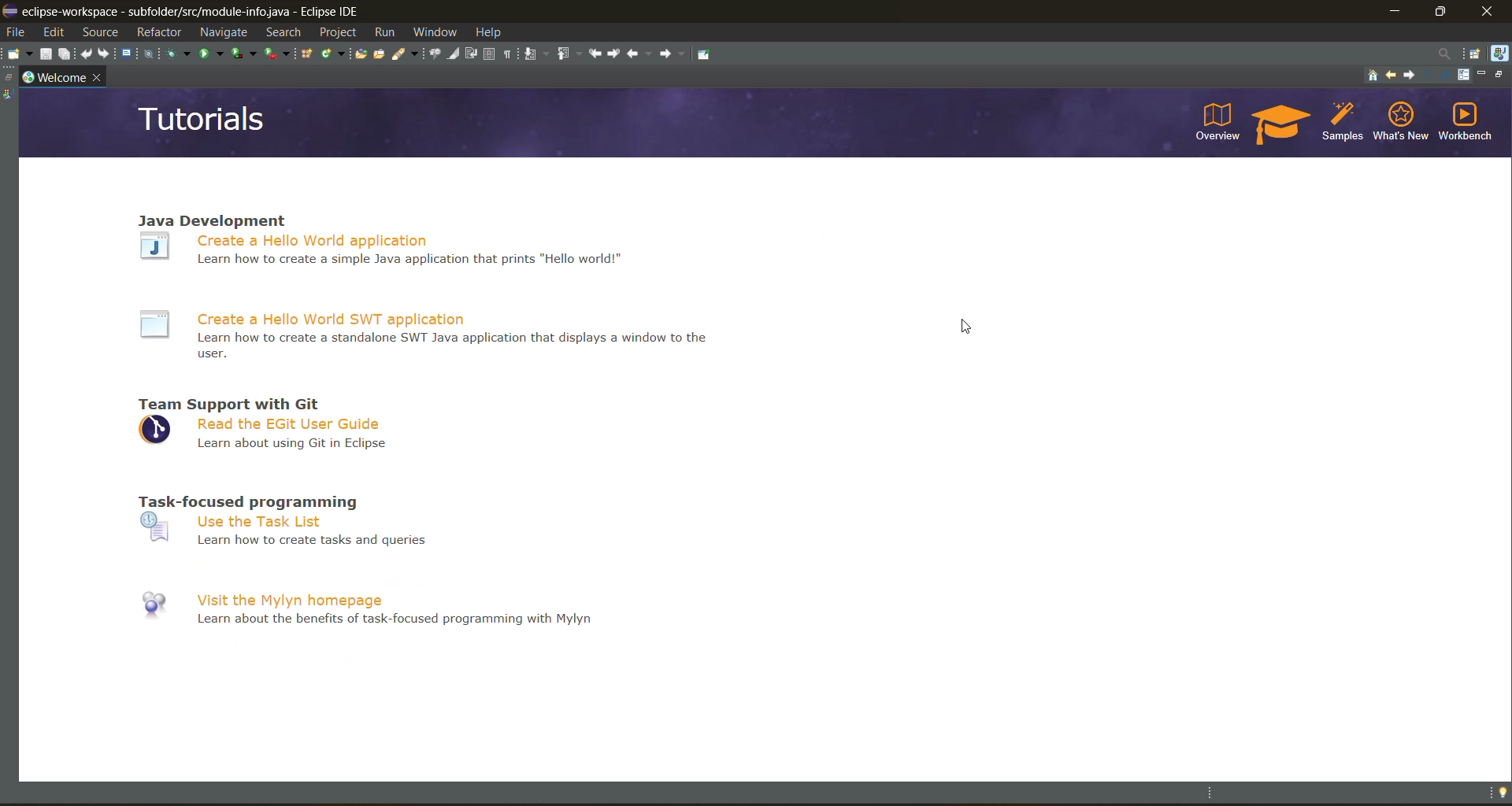 Image resolution: width=1512 pixels, height=806 pixels. Describe the element at coordinates (95, 75) in the screenshot. I see `close` at that location.